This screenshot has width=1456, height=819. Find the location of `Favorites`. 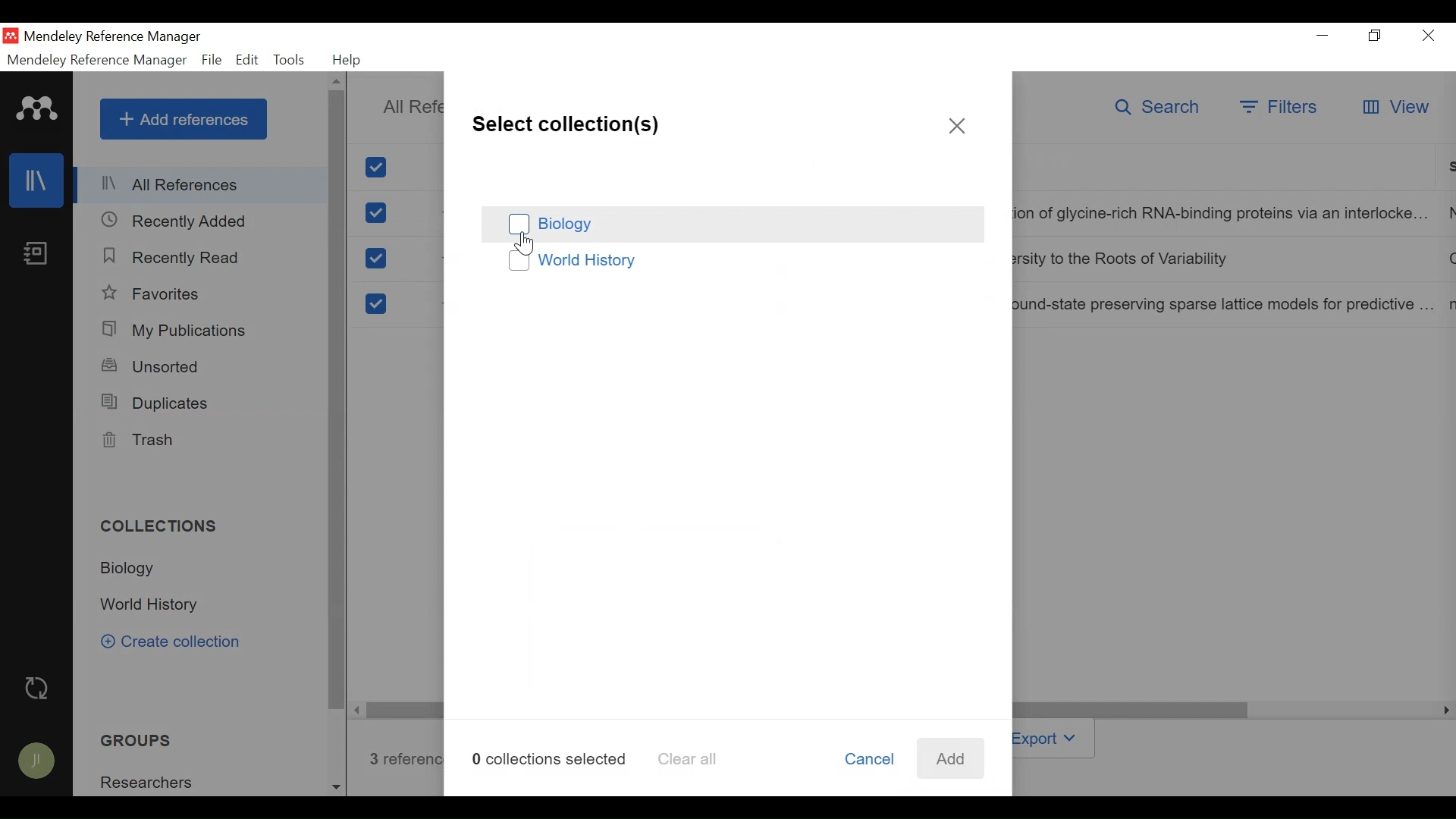

Favorites is located at coordinates (155, 293).